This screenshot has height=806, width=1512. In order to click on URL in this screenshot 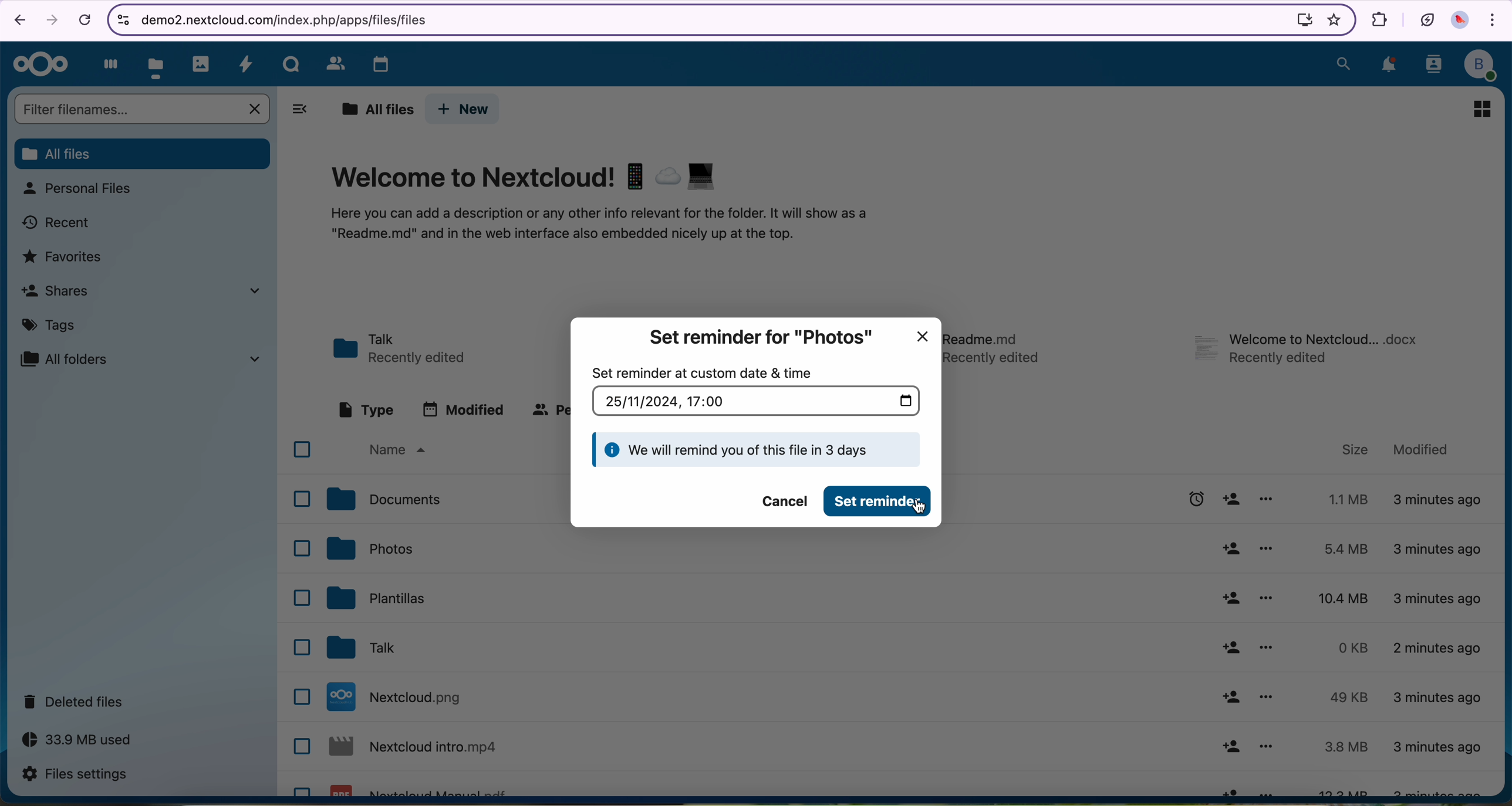, I will do `click(293, 19)`.